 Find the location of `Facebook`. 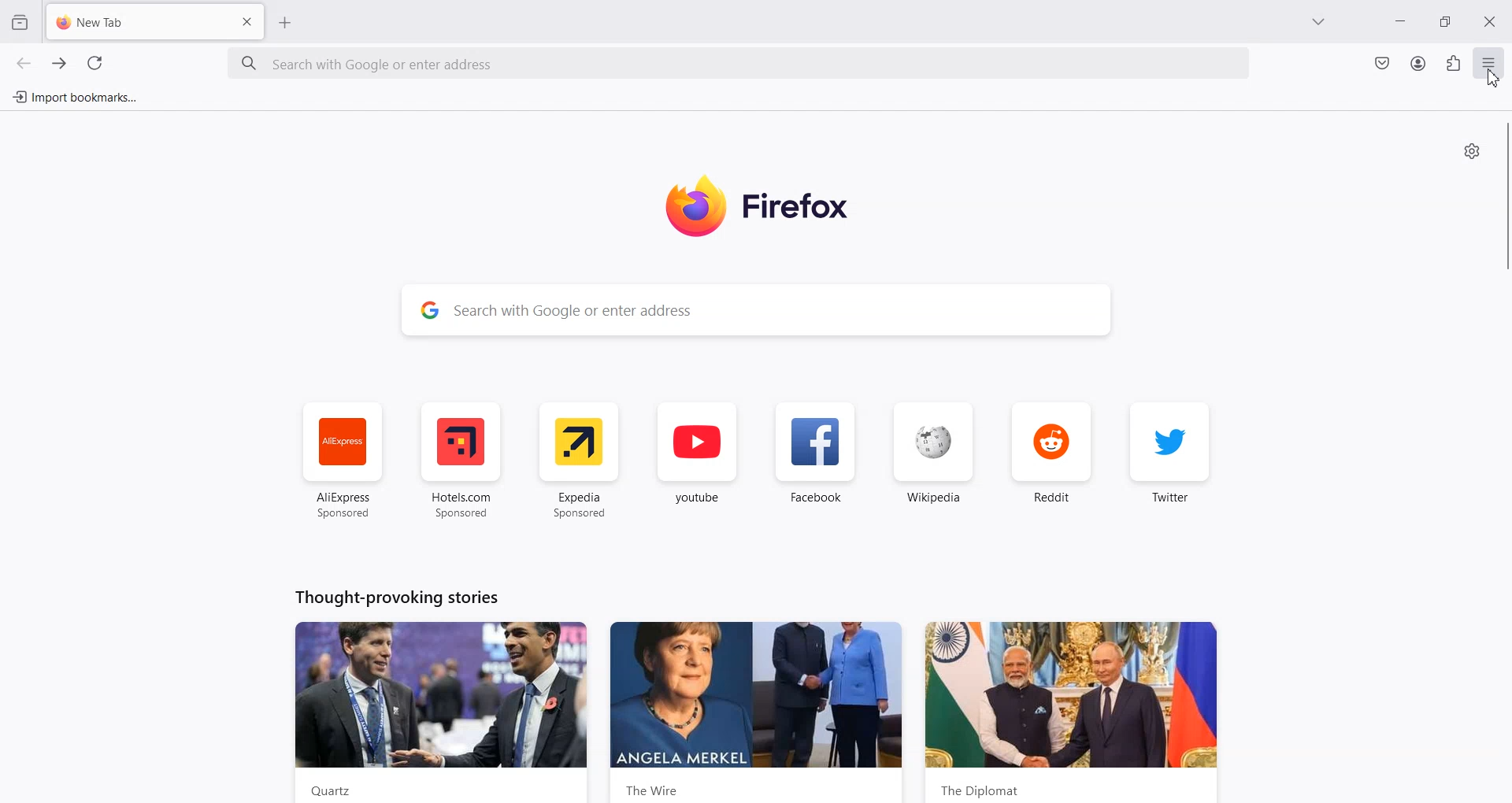

Facebook is located at coordinates (816, 457).